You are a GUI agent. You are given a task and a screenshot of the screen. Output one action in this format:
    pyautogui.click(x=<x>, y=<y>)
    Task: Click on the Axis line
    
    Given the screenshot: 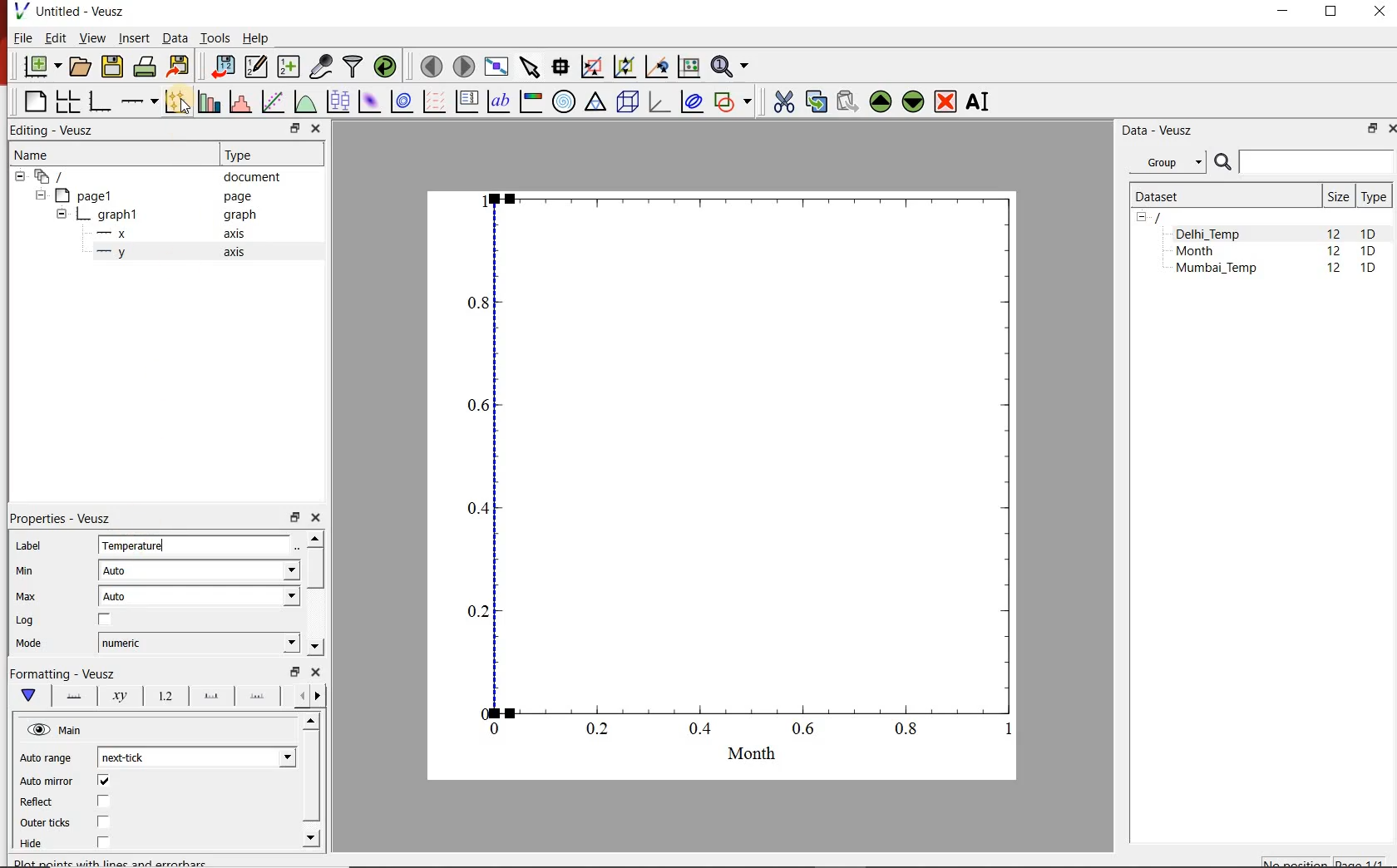 What is the action you would take?
    pyautogui.click(x=72, y=696)
    